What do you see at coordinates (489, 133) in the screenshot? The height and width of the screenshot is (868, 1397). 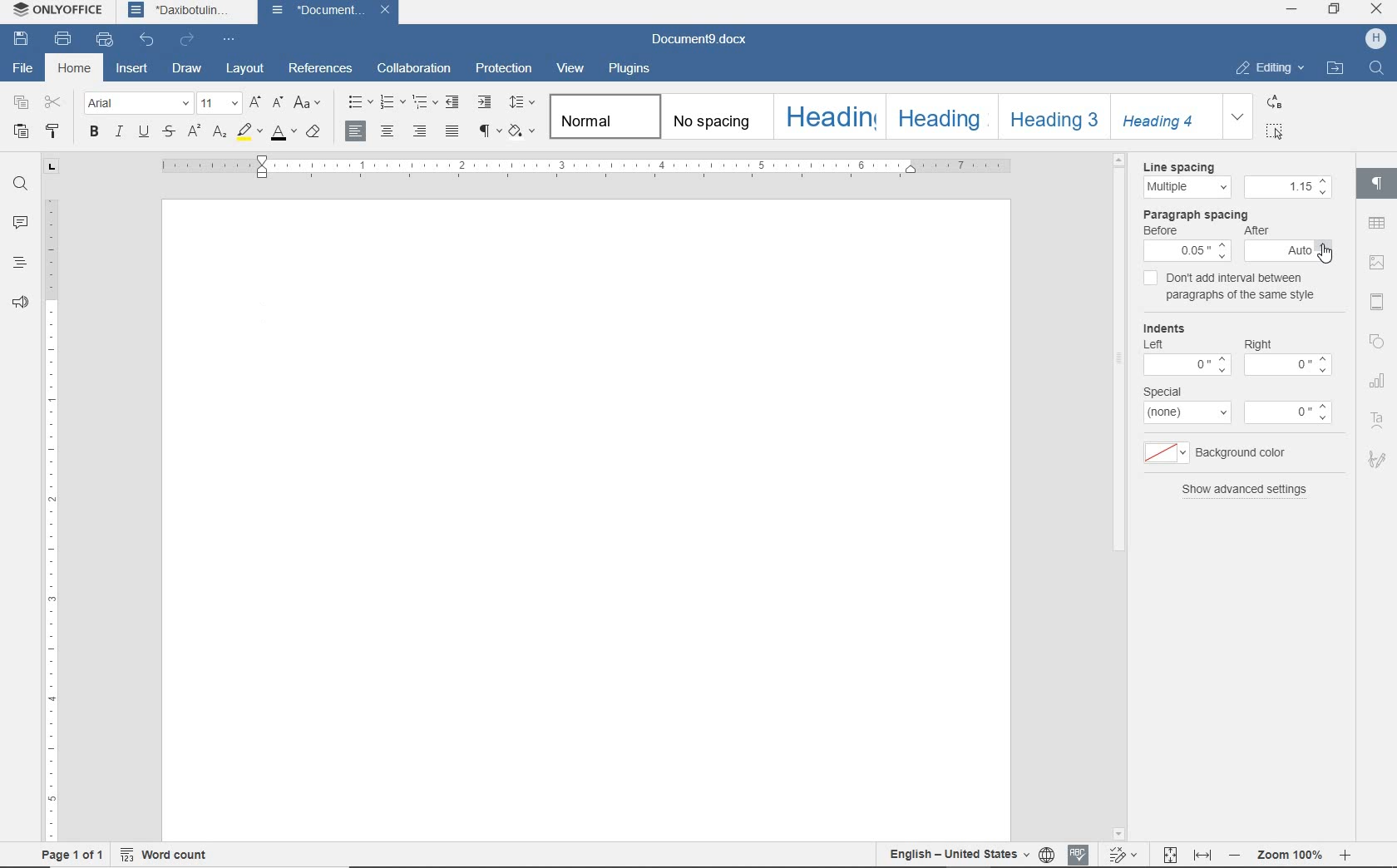 I see `nonprinting characters` at bounding box center [489, 133].